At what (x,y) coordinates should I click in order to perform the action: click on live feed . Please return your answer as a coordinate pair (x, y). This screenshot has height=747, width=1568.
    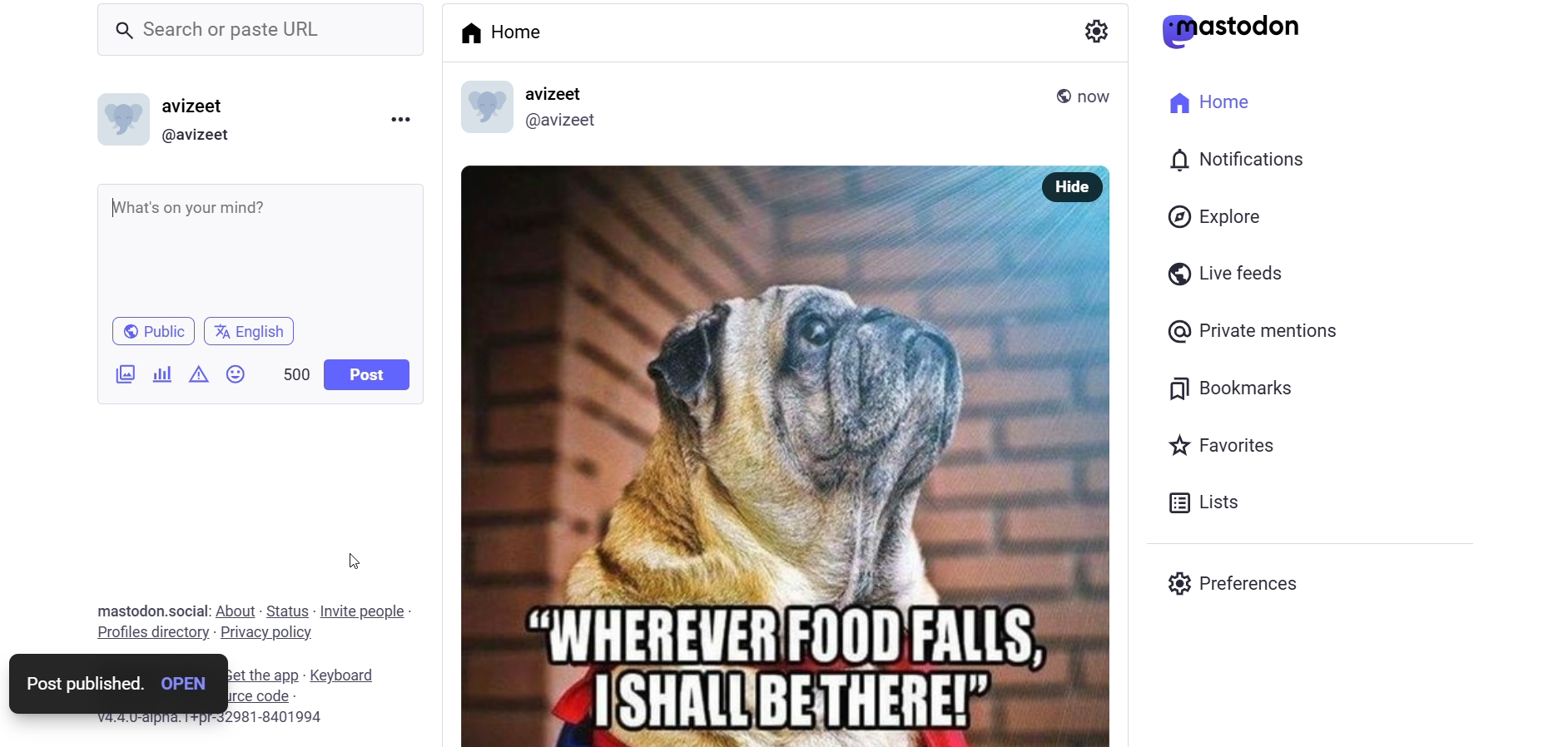
    Looking at the image, I should click on (1223, 276).